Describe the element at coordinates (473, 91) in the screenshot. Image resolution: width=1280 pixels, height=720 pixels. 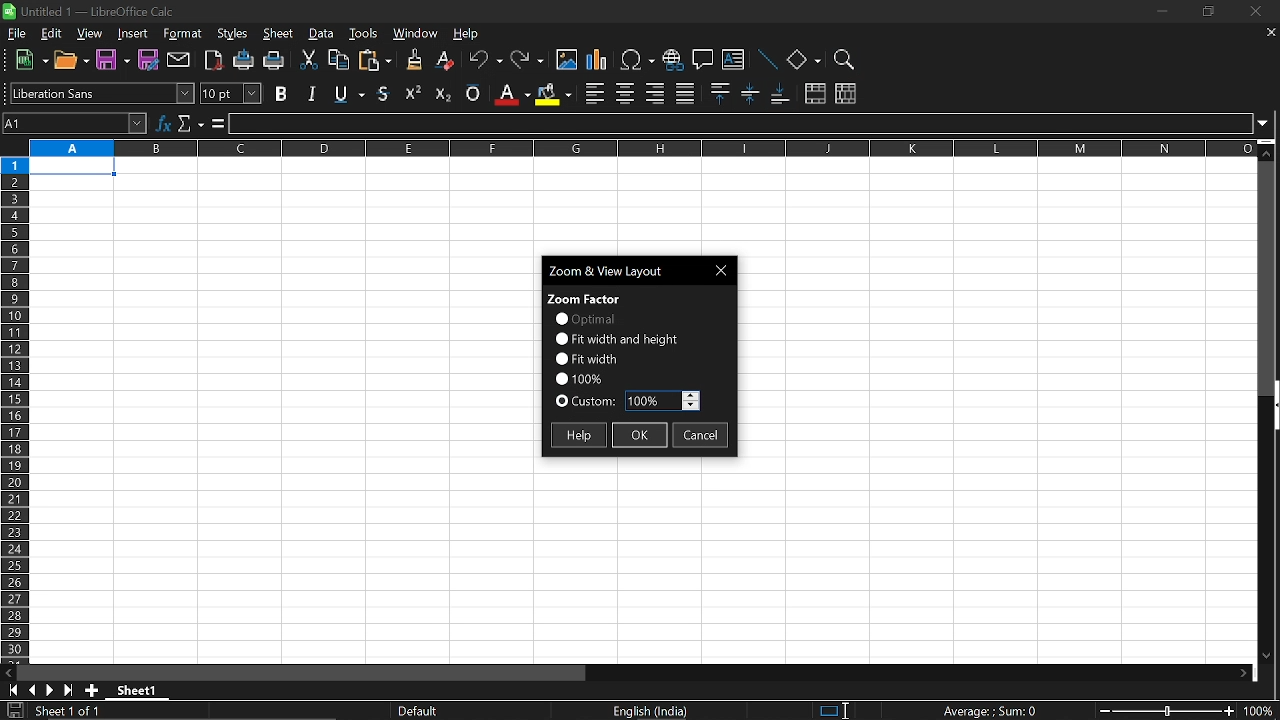
I see `overline` at that location.